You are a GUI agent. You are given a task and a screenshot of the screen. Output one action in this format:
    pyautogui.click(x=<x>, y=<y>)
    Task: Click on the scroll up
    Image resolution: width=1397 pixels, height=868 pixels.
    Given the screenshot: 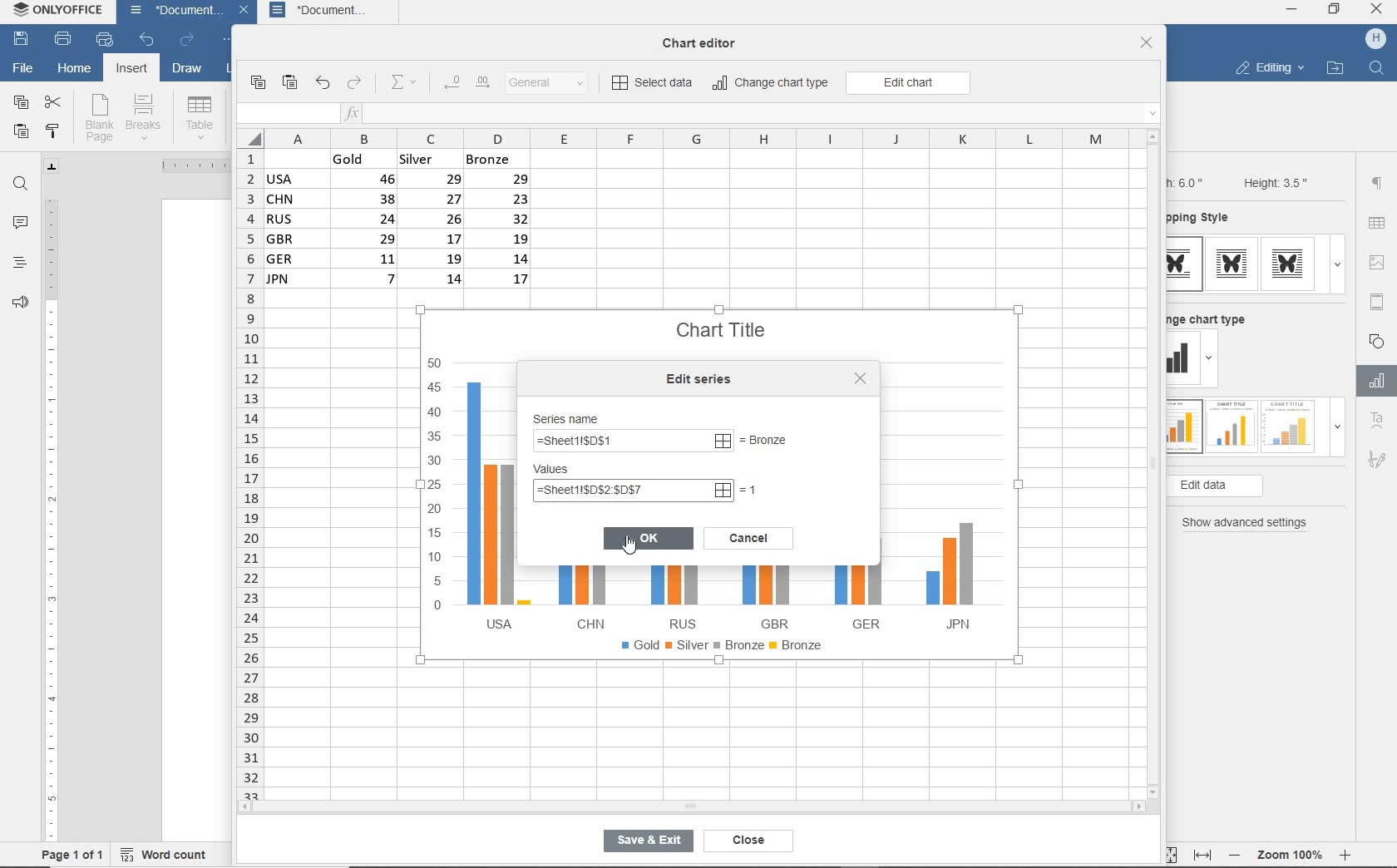 What is the action you would take?
    pyautogui.click(x=1153, y=136)
    